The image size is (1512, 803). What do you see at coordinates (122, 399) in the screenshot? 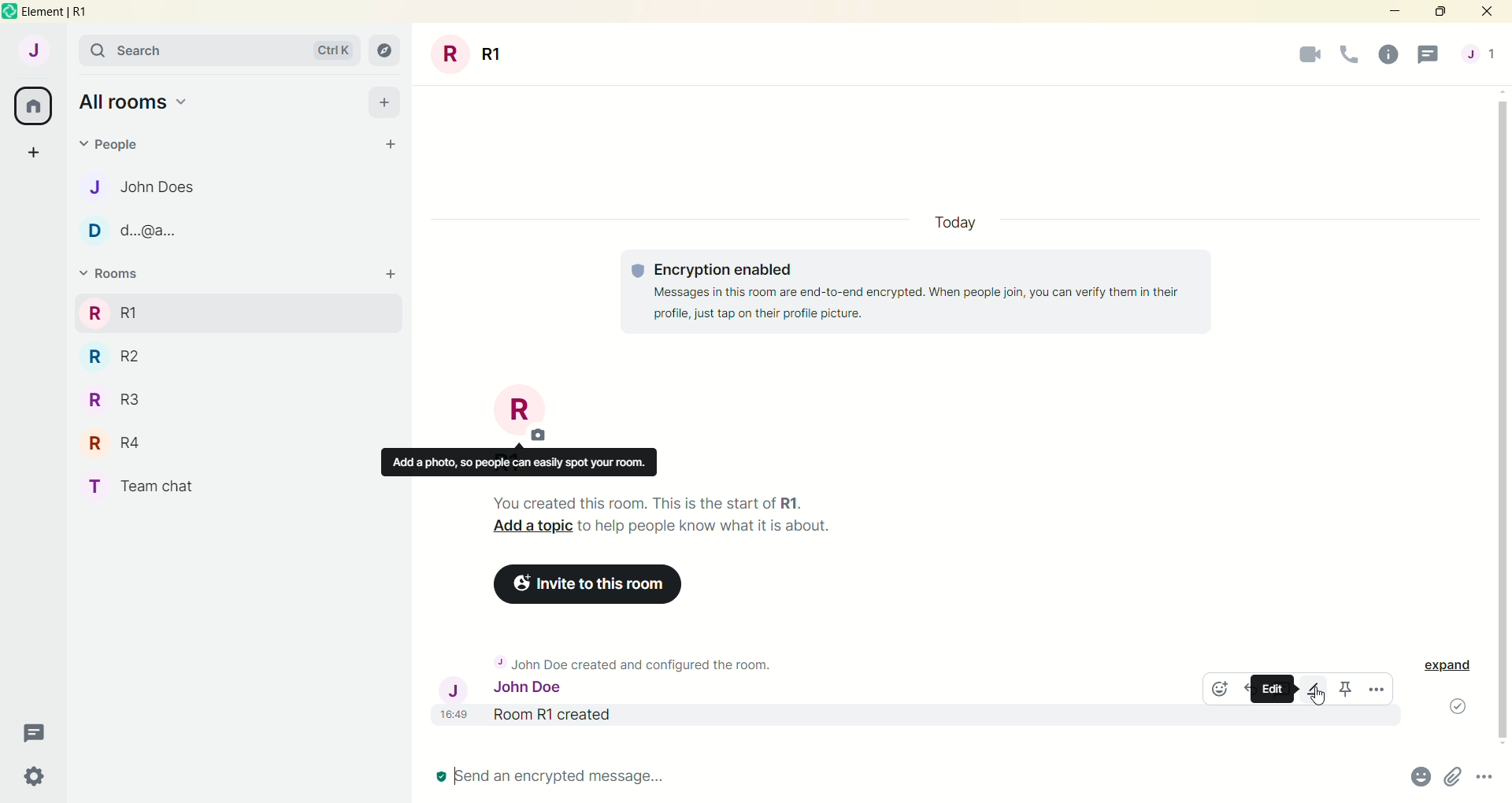
I see `R R3` at bounding box center [122, 399].